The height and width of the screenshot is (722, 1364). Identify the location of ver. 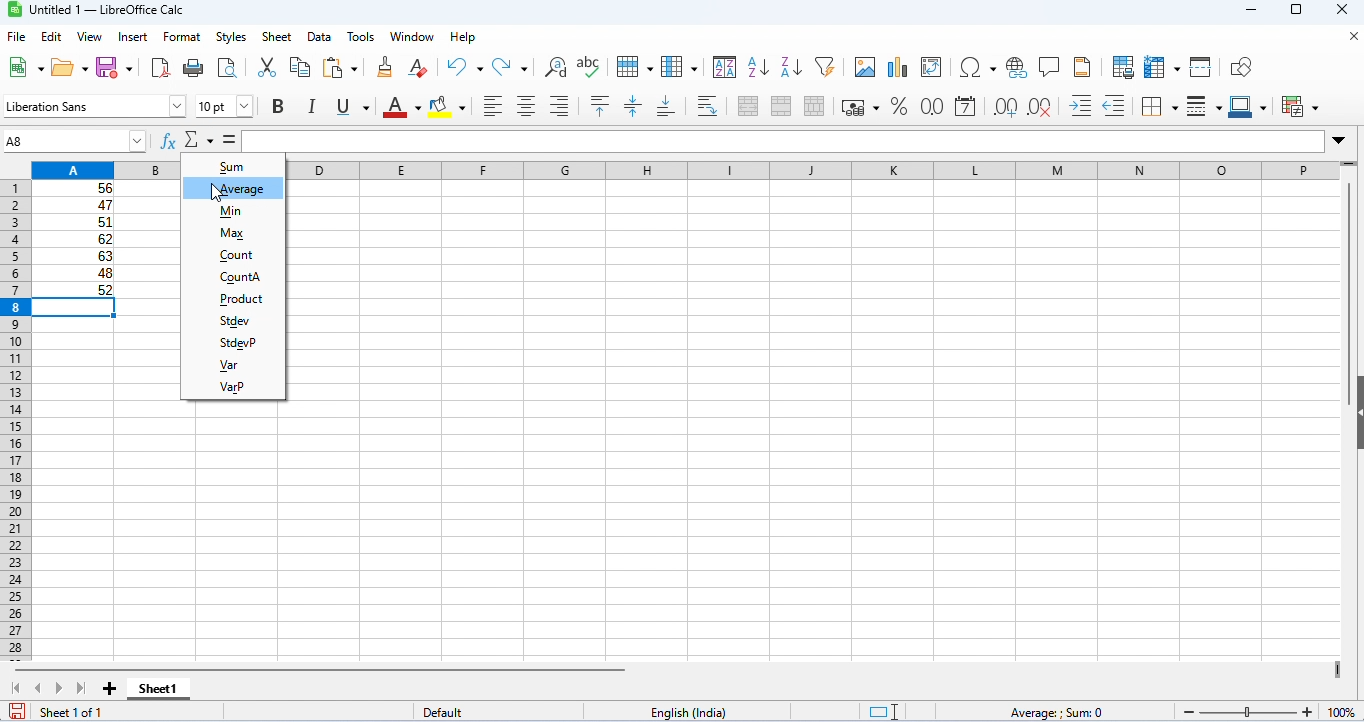
(233, 365).